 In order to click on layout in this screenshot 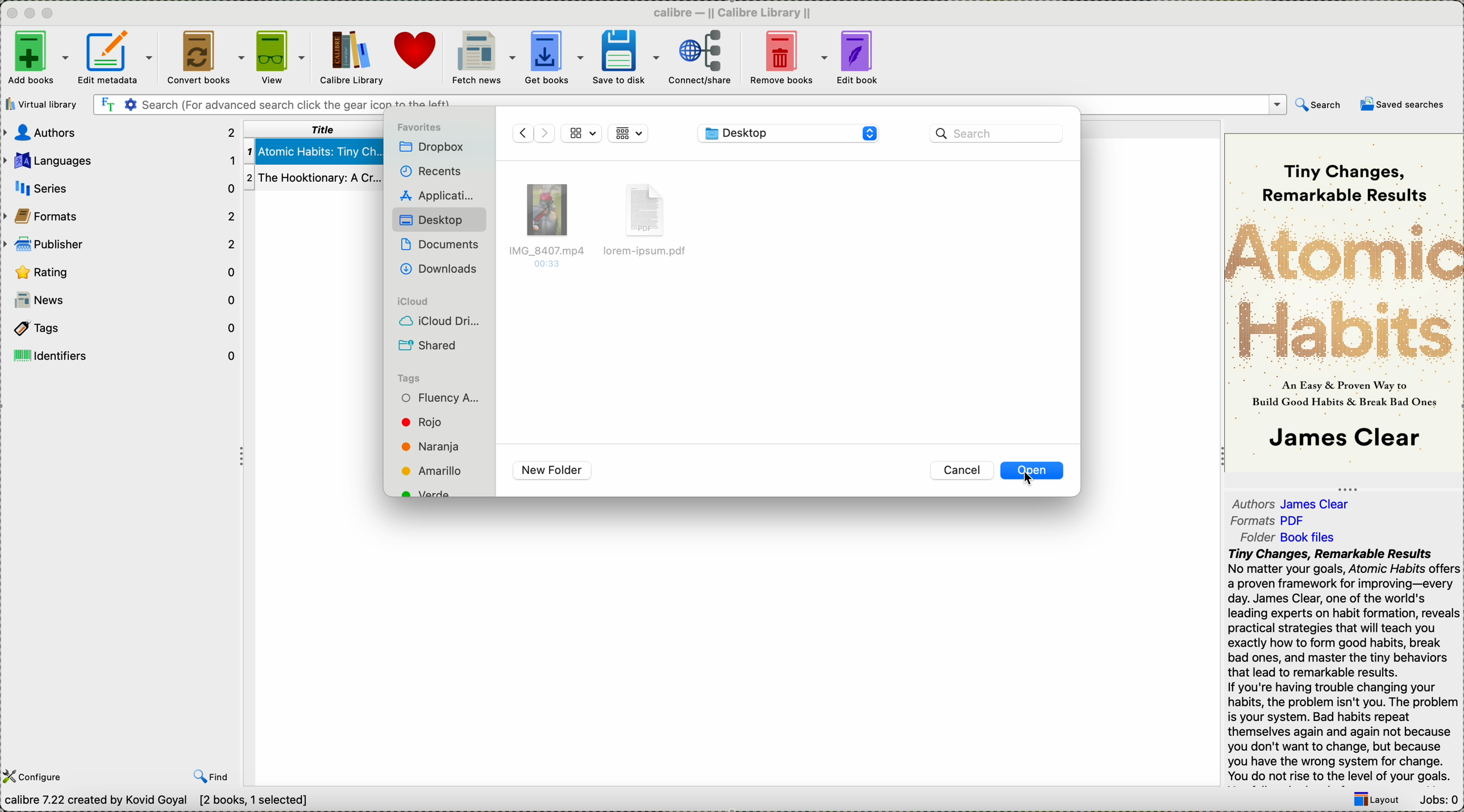, I will do `click(1376, 799)`.